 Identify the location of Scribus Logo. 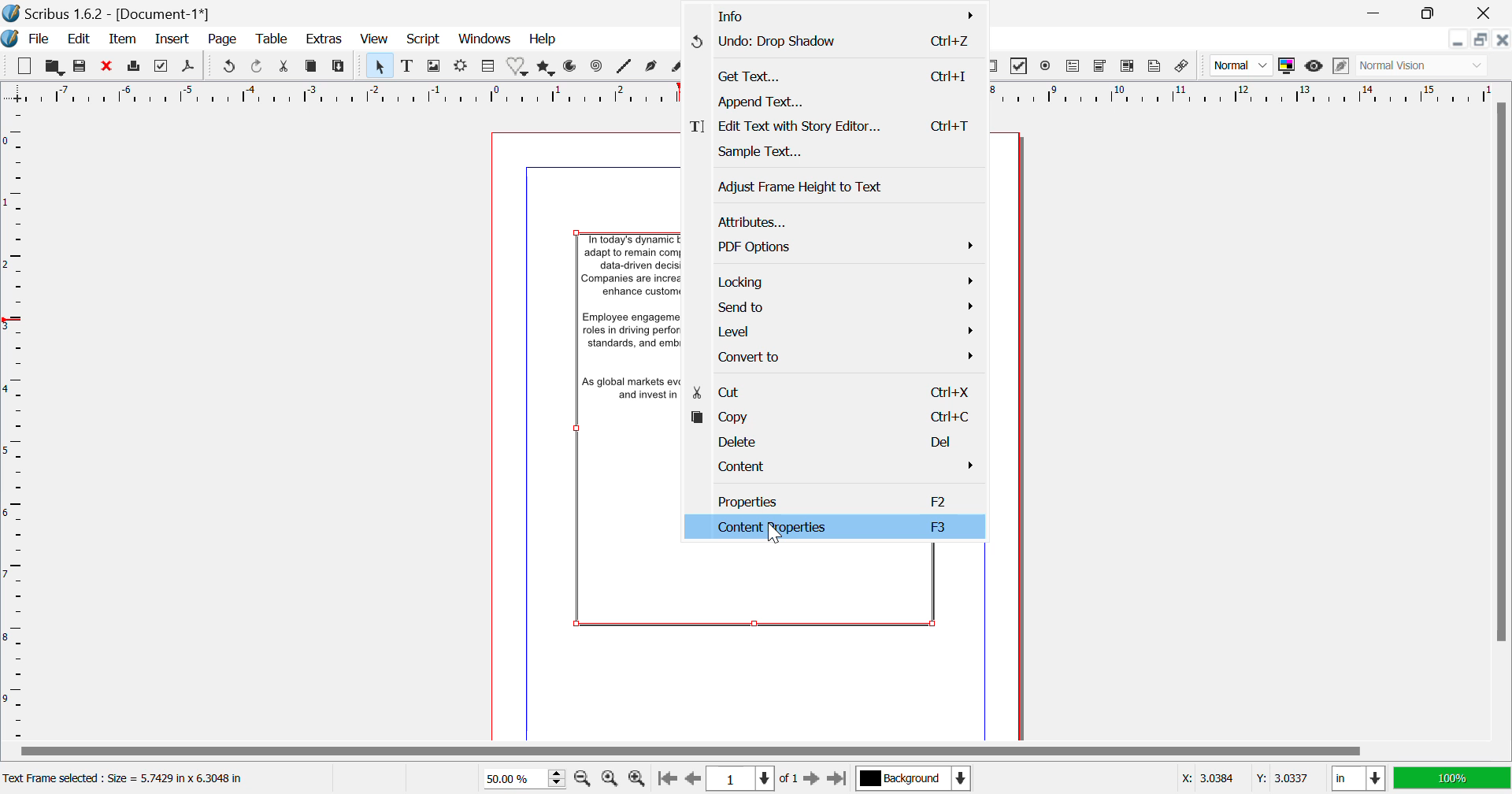
(9, 39).